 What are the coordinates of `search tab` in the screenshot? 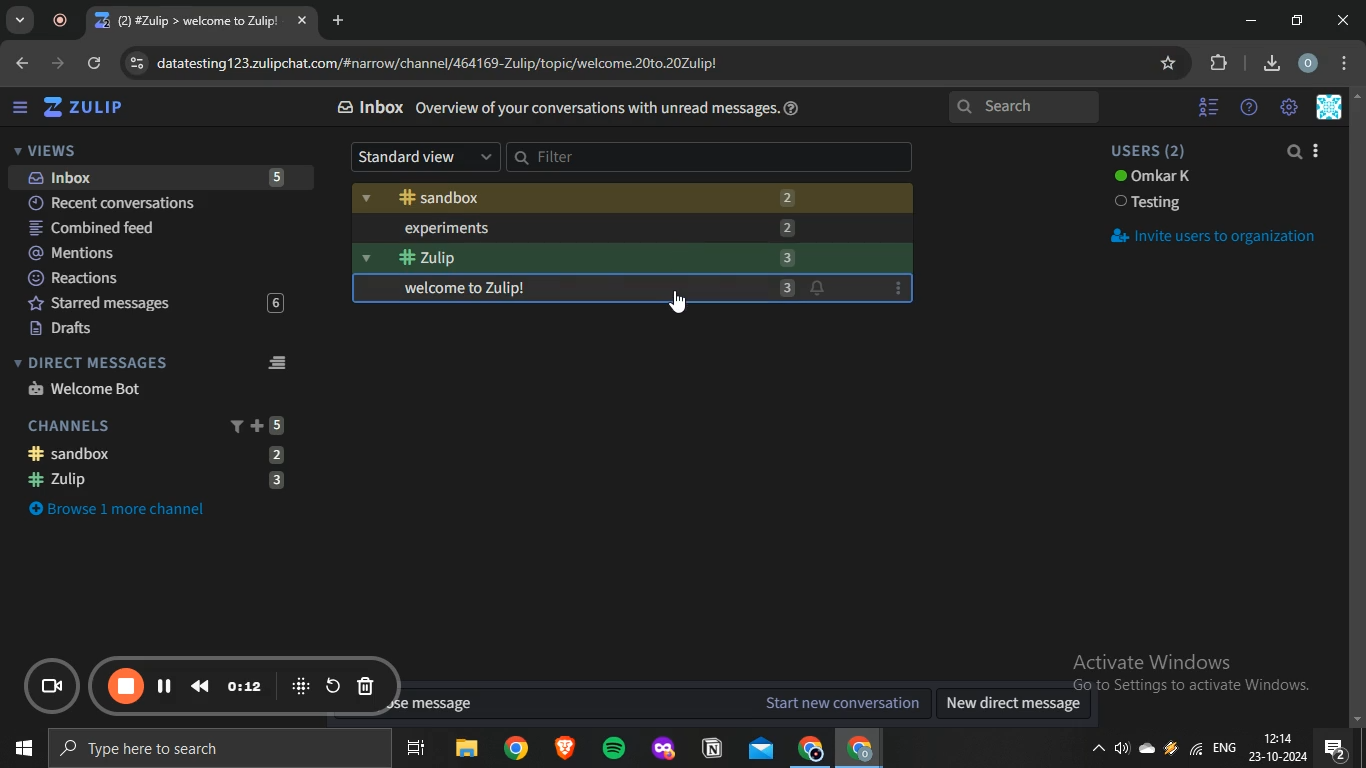 It's located at (20, 21).